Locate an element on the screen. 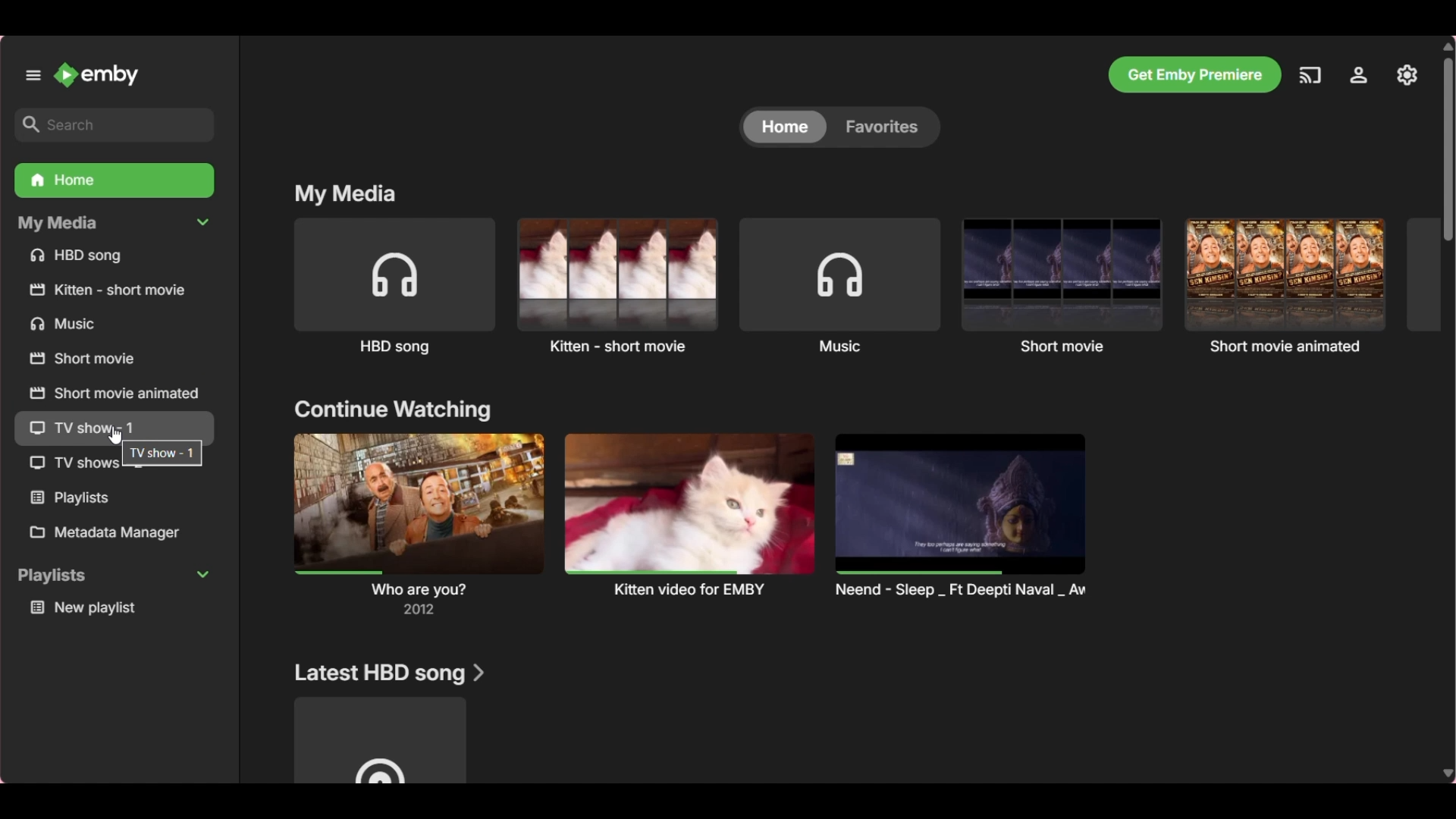  Section title is located at coordinates (387, 673).